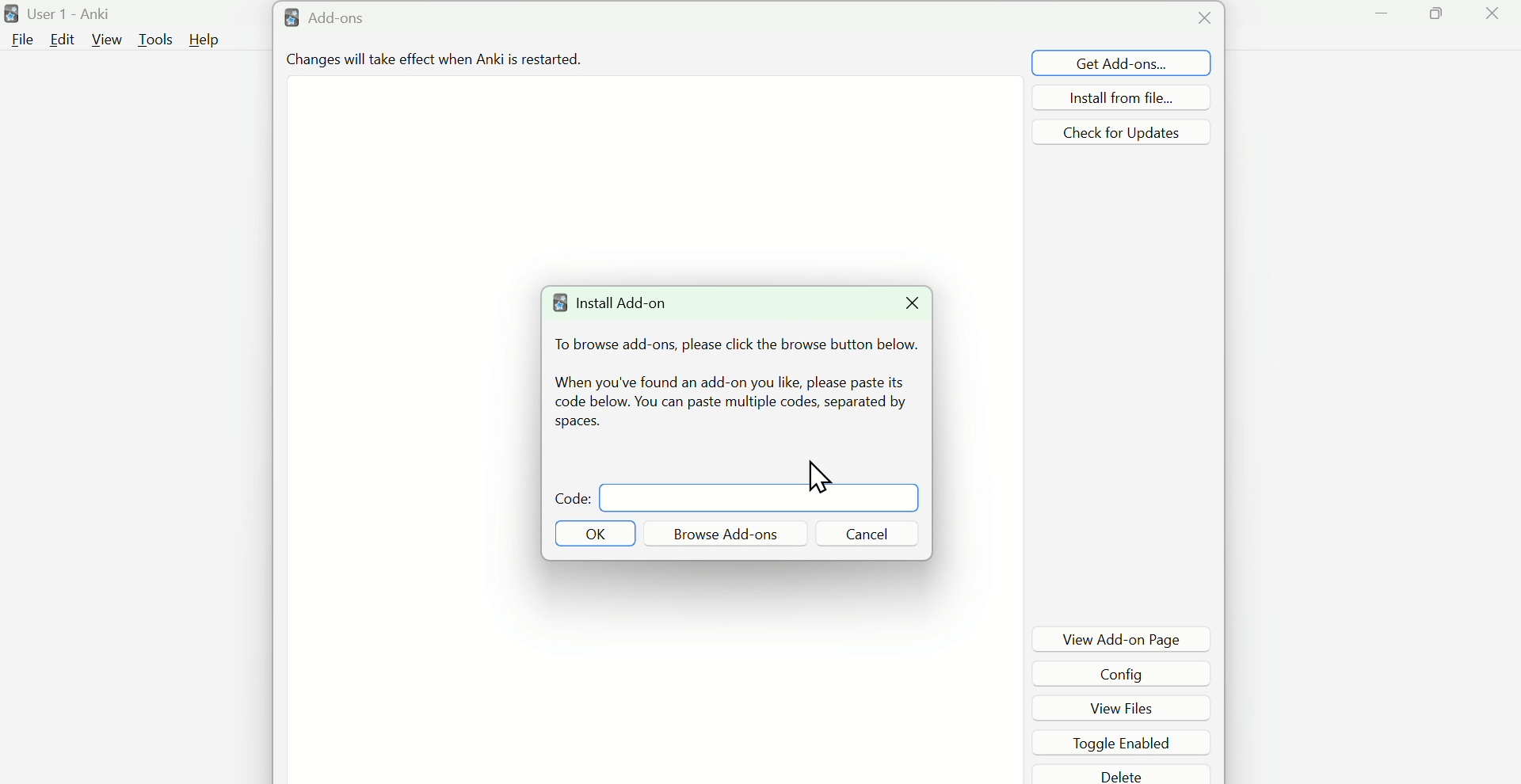 This screenshot has height=784, width=1521. I want to click on close , so click(1202, 18).